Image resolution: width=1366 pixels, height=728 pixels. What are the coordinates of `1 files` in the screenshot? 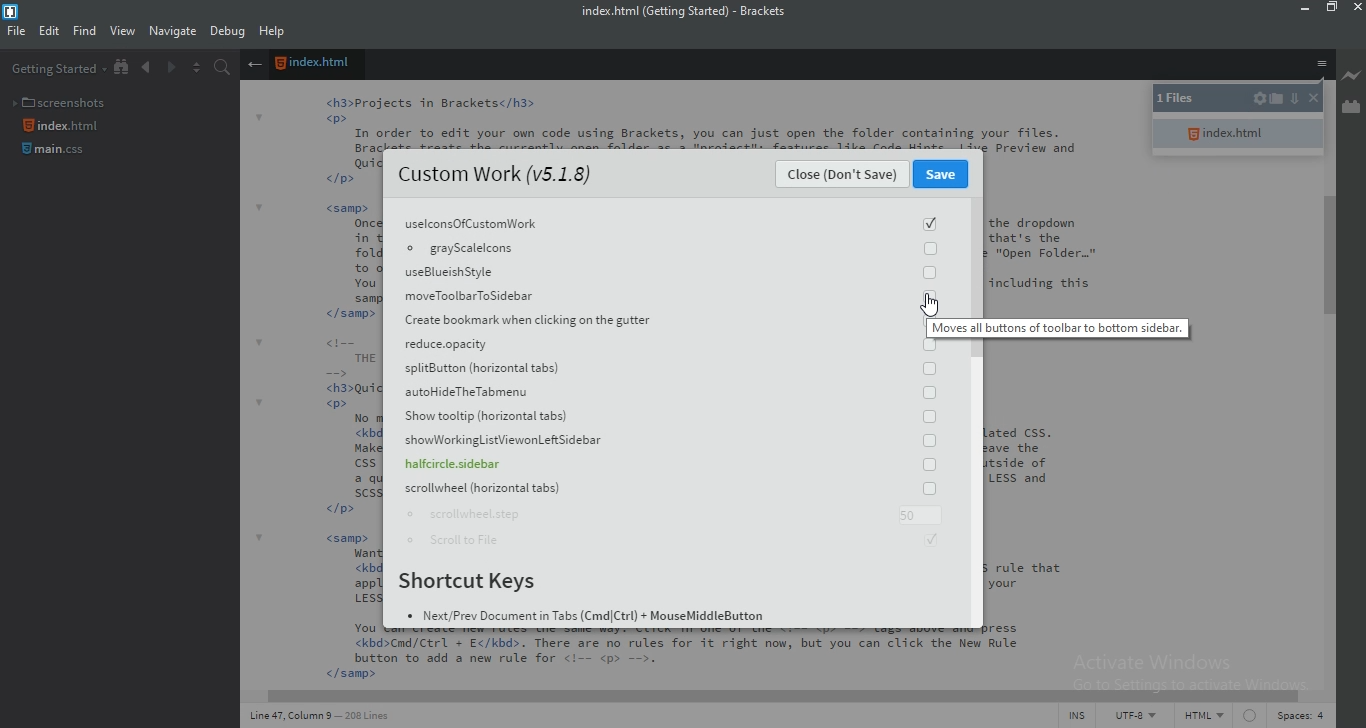 It's located at (1188, 100).